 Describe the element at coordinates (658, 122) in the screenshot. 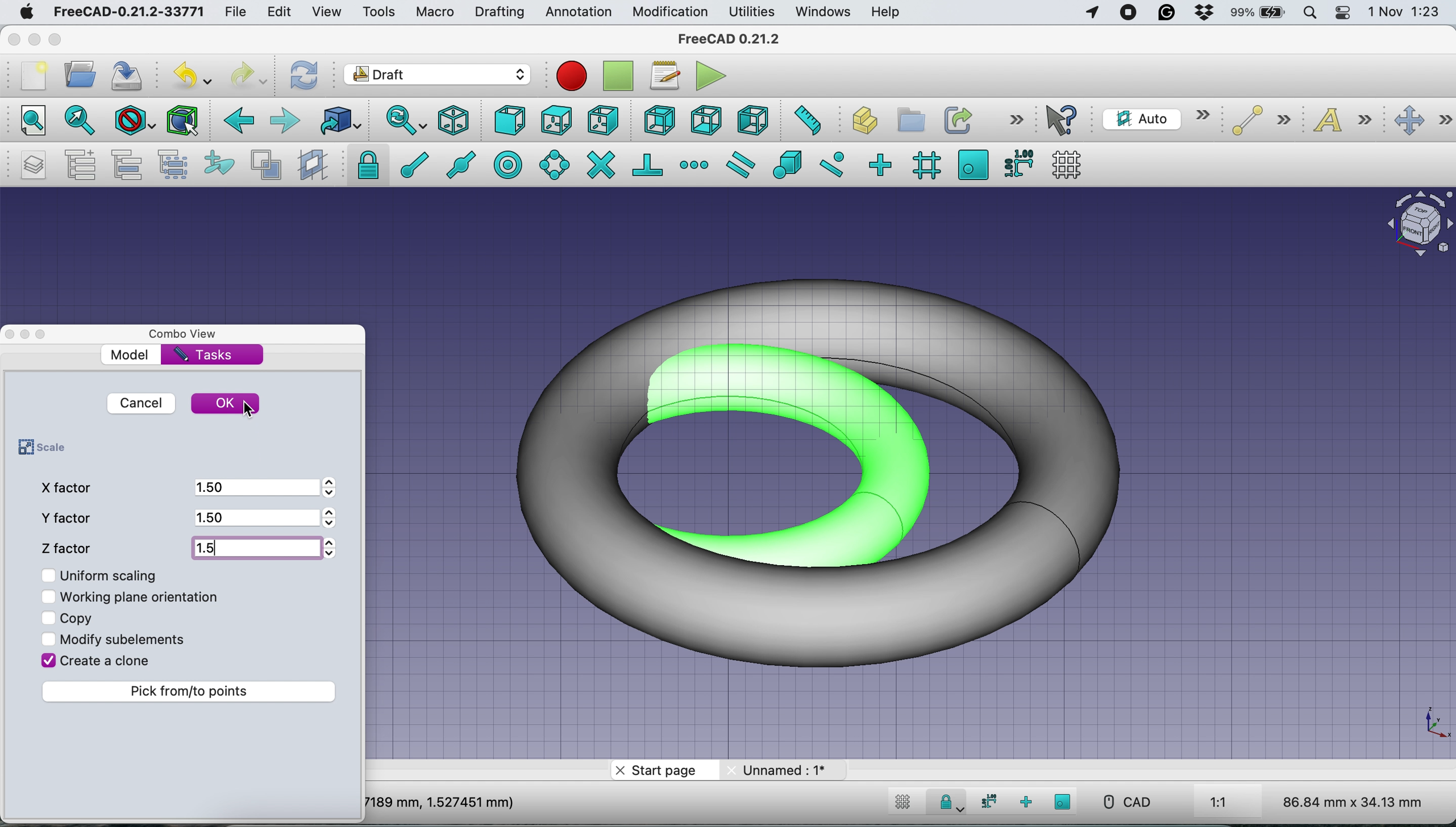

I see `rear` at that location.